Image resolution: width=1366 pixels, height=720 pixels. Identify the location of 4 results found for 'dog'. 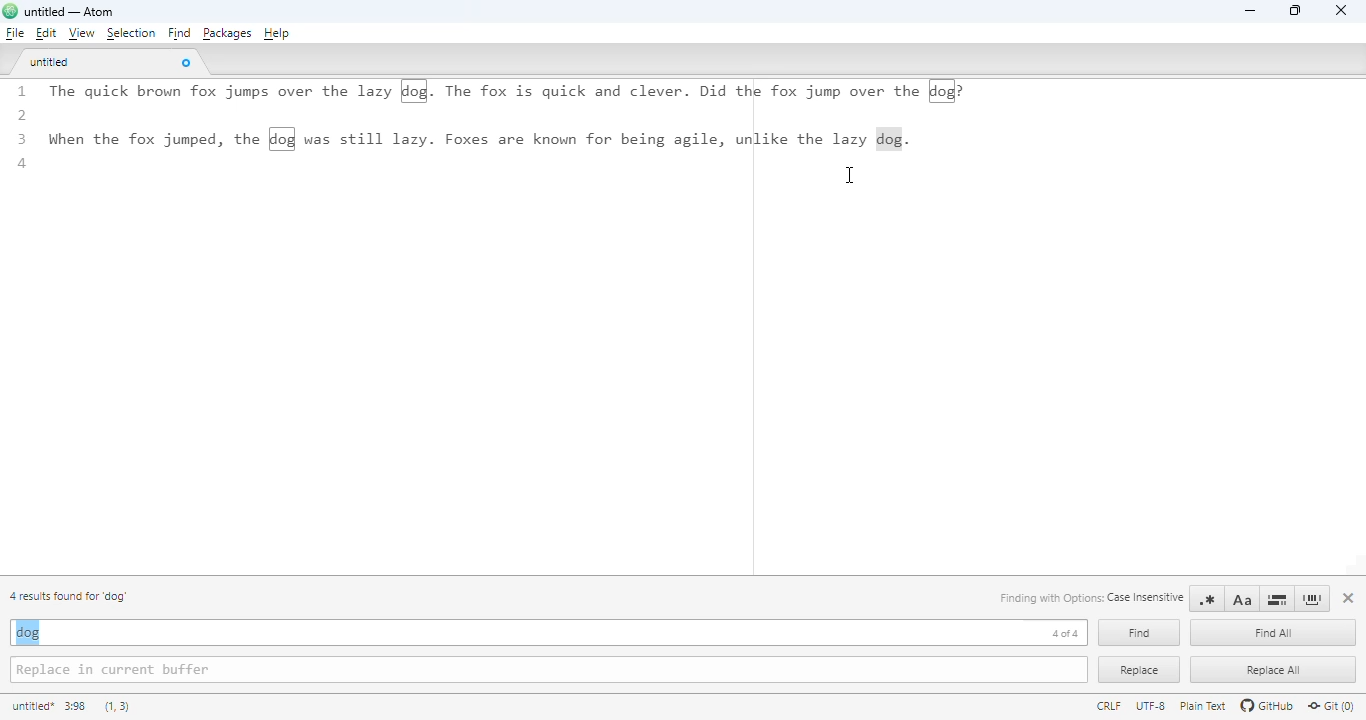
(69, 596).